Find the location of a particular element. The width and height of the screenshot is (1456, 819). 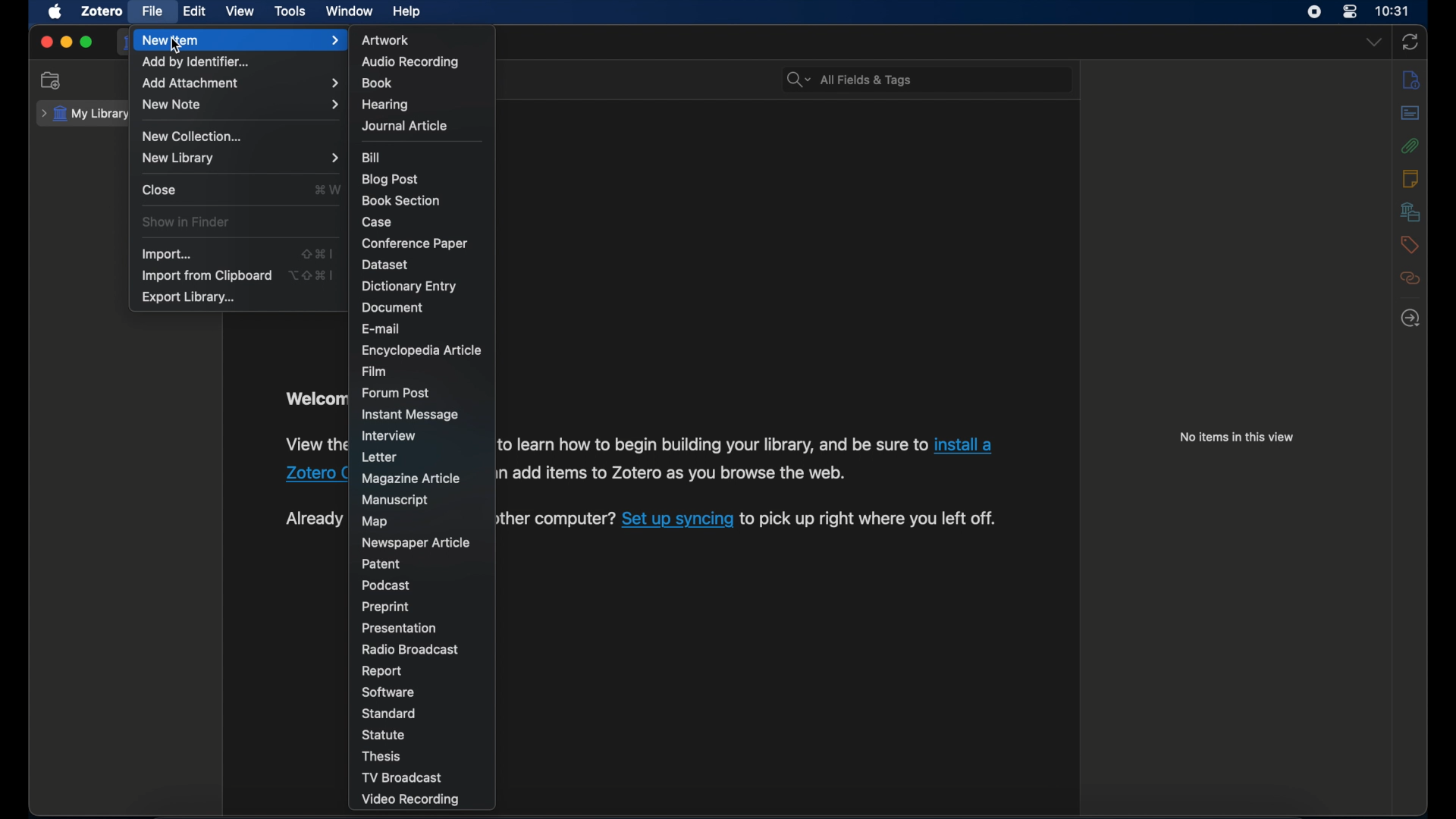

new library is located at coordinates (240, 158).